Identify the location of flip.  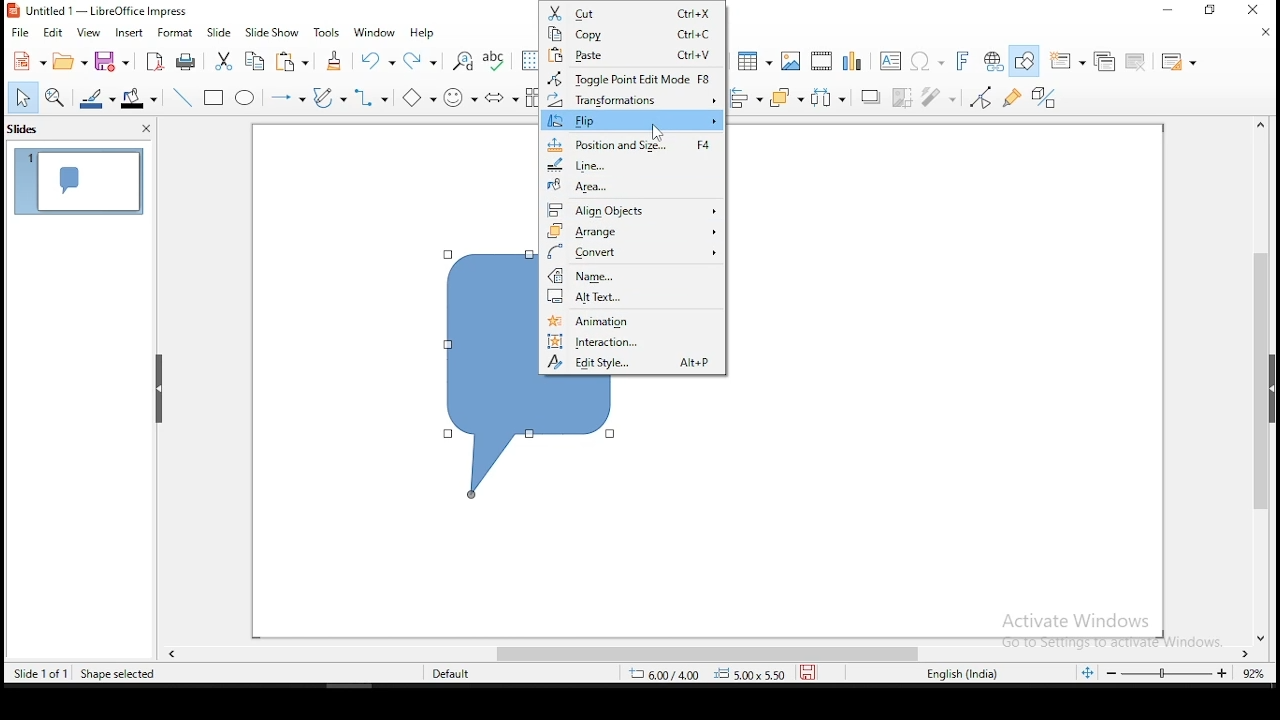
(633, 121).